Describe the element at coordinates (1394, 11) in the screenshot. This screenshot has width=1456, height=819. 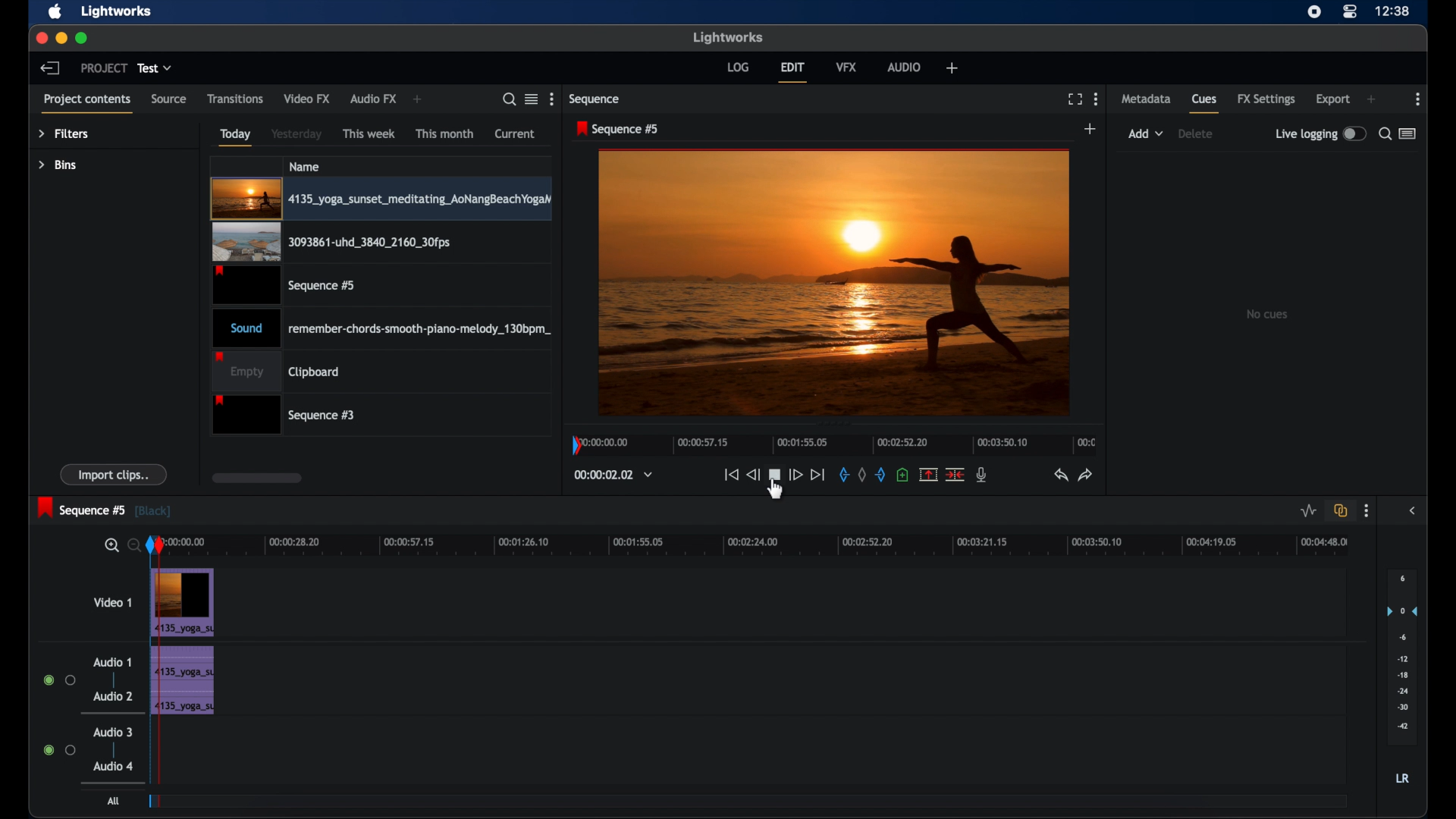
I see `time` at that location.